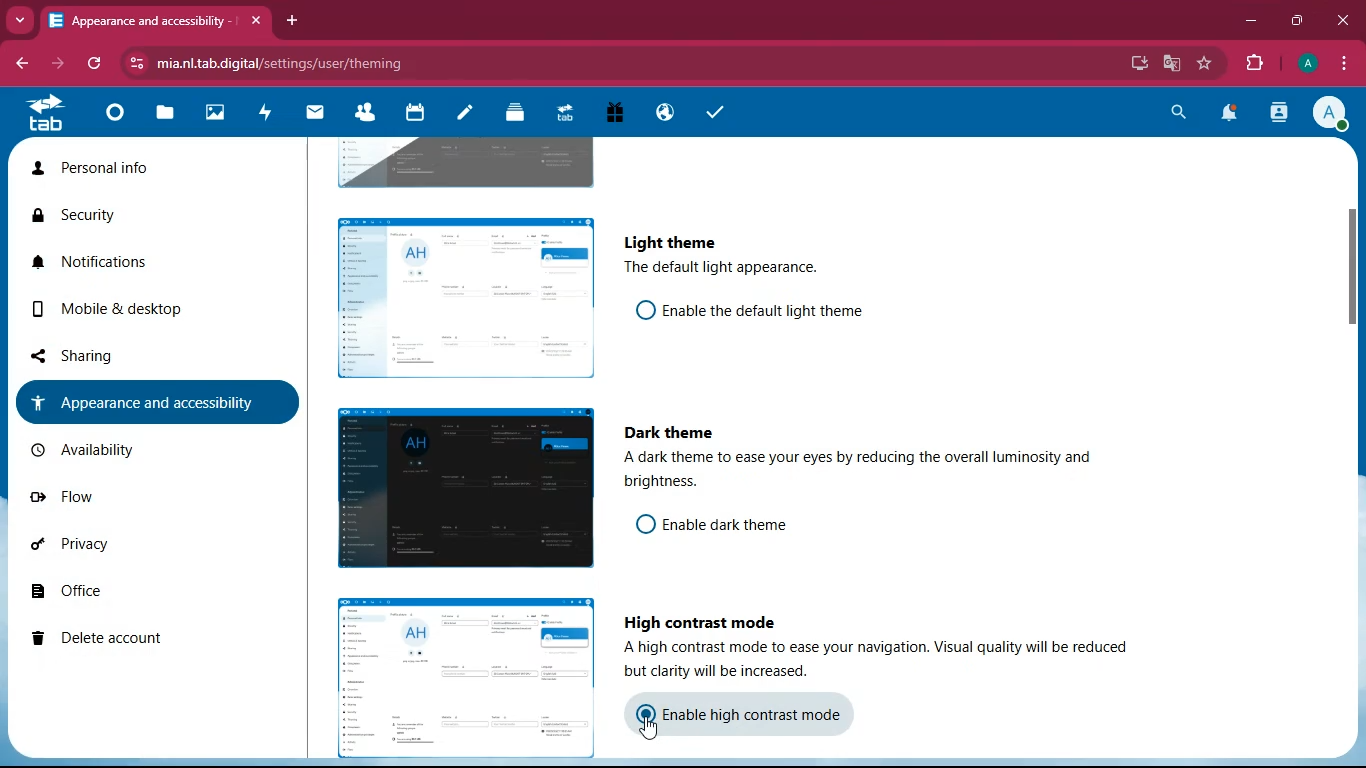 The width and height of the screenshot is (1366, 768). Describe the element at coordinates (22, 64) in the screenshot. I see `back` at that location.